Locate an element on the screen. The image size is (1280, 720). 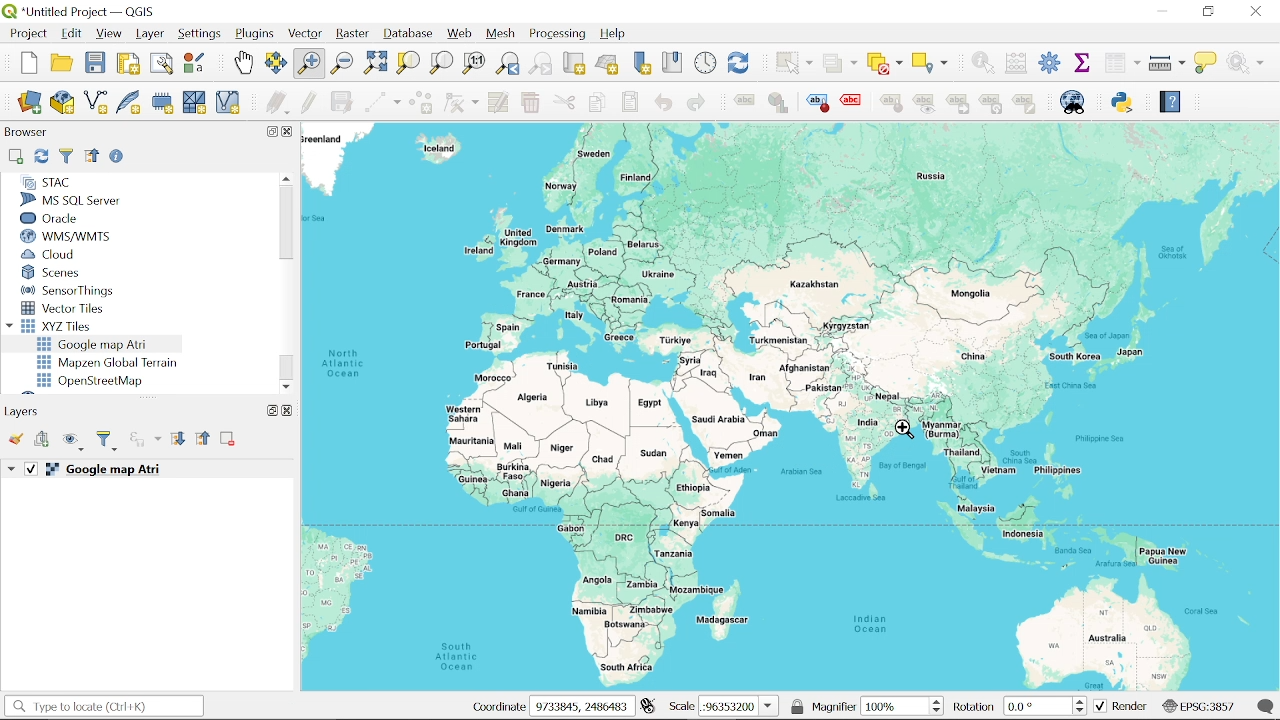
Rotation is located at coordinates (1039, 706).